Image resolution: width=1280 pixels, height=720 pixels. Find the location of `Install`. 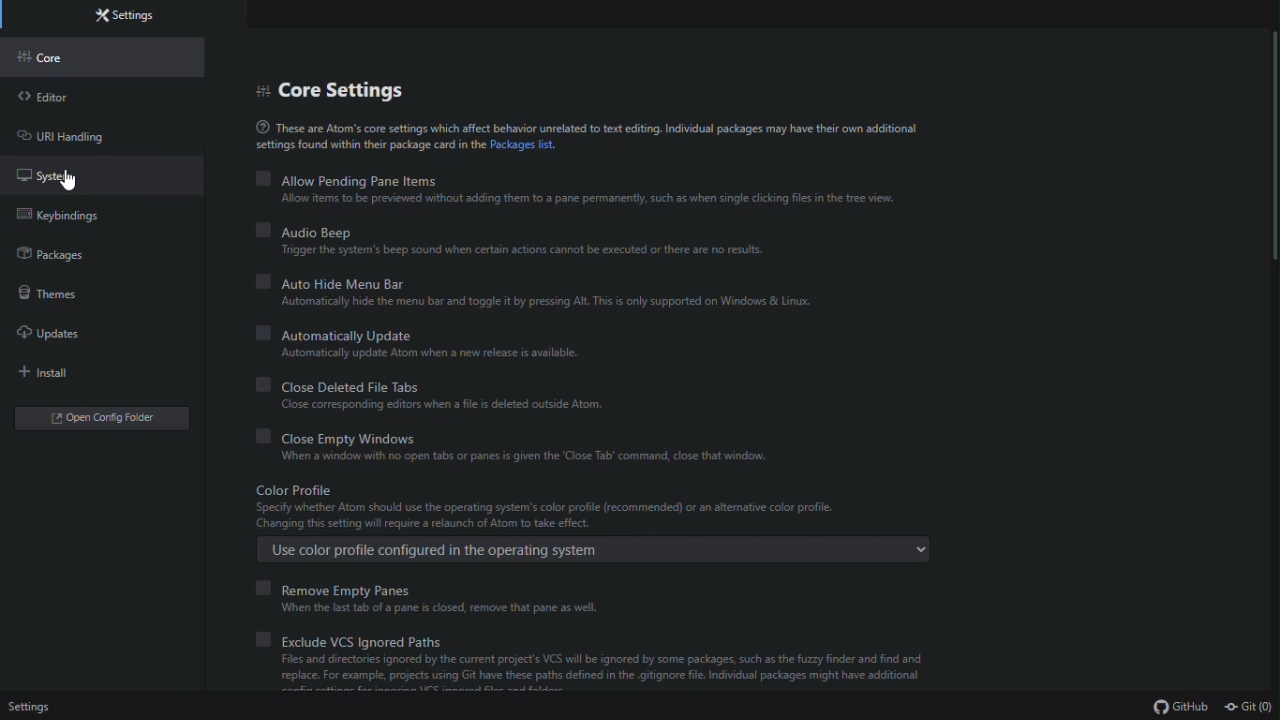

Install is located at coordinates (63, 376).